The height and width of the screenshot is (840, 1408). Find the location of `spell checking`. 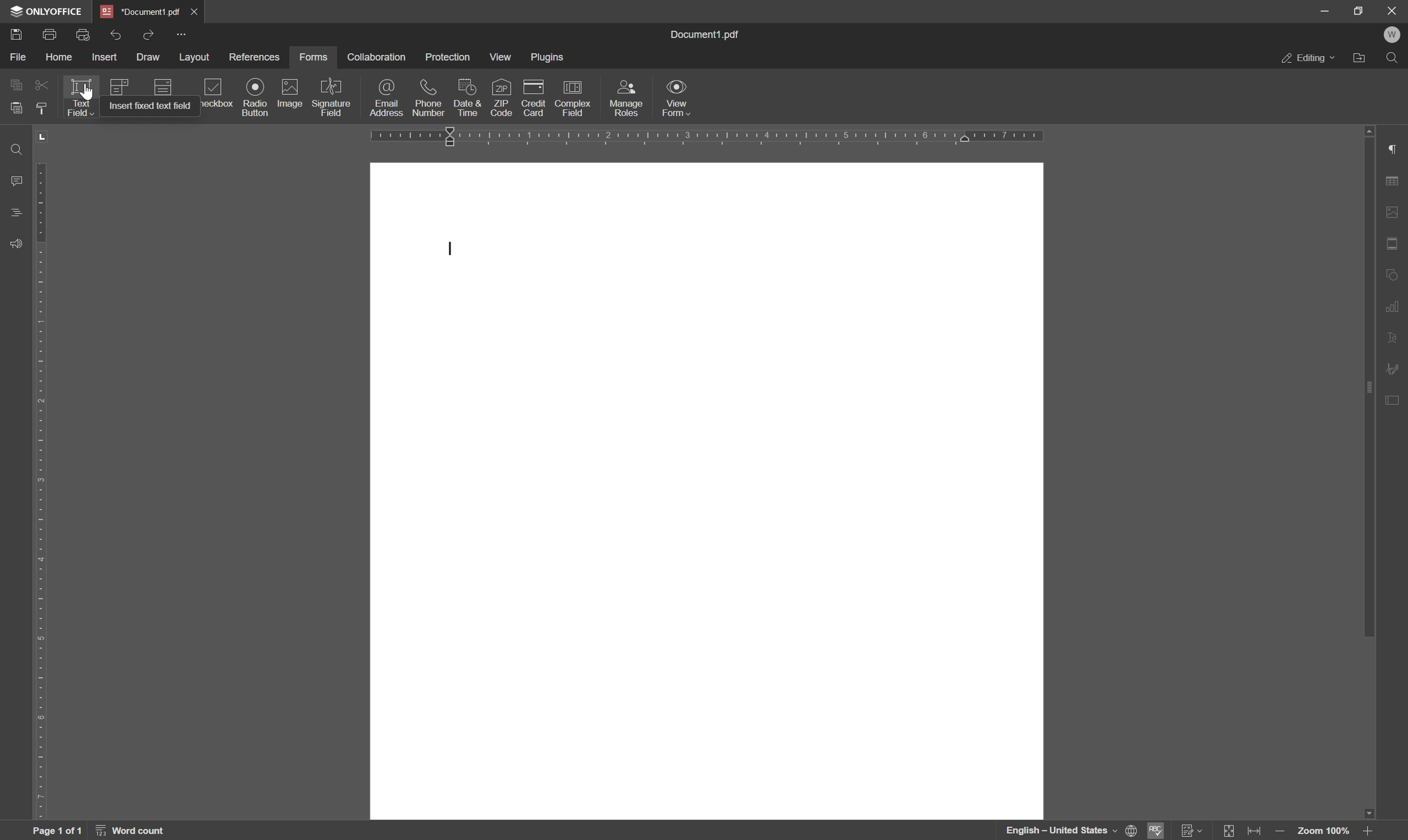

spell checking is located at coordinates (1158, 830).